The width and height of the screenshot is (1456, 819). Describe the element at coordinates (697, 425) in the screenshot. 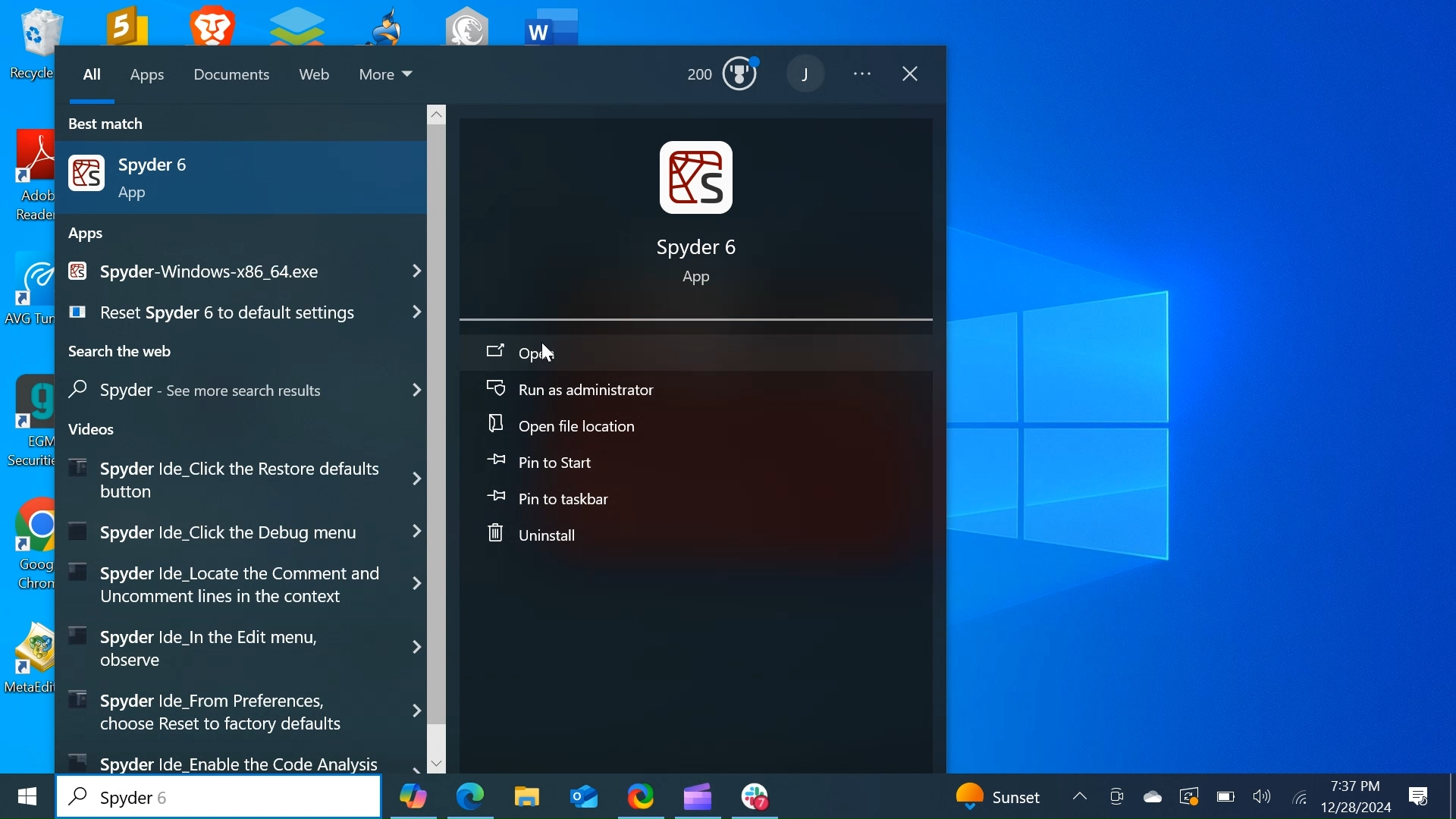

I see `Open file location` at that location.